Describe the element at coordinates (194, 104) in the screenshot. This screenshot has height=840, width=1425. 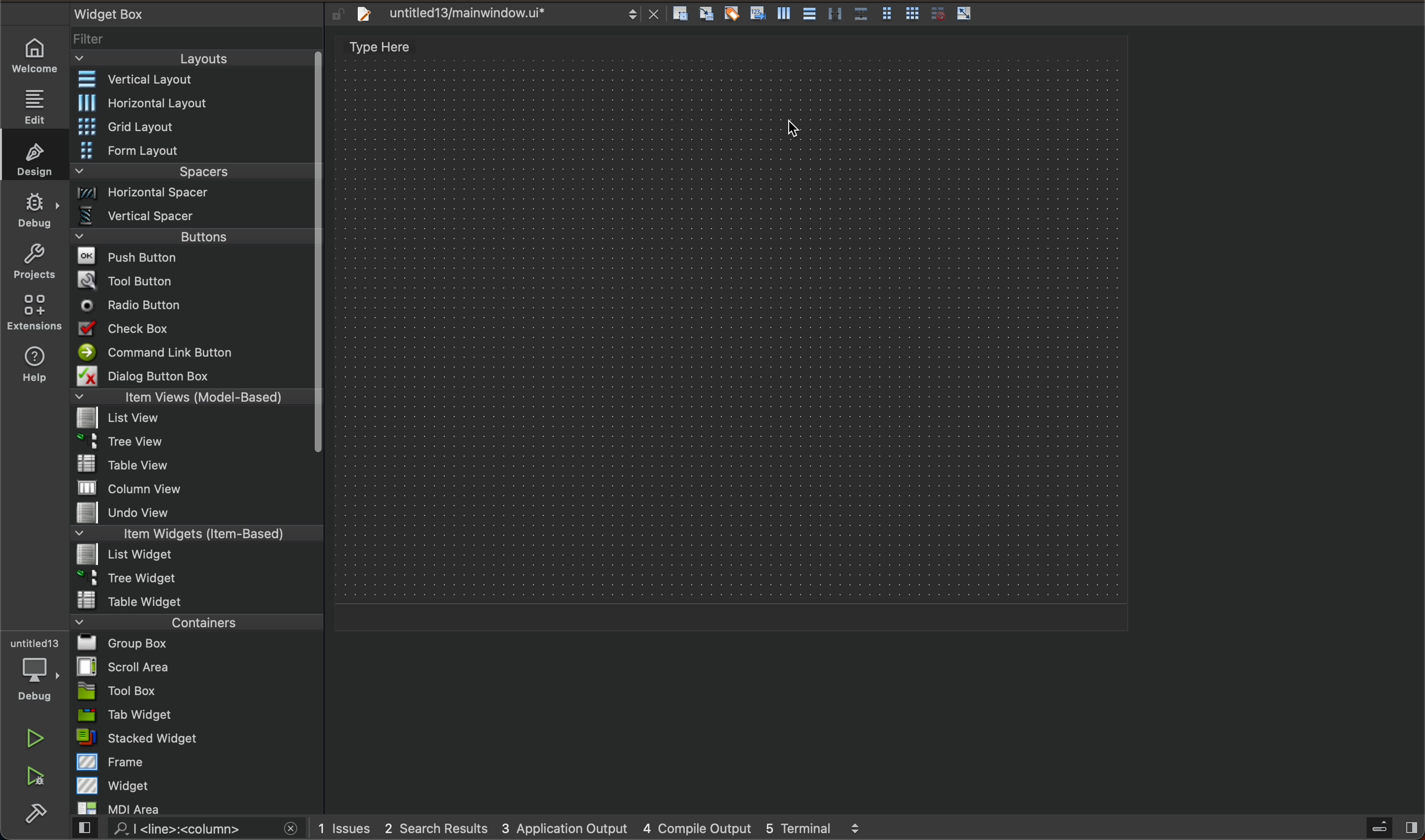
I see `Horizontal layout` at that location.